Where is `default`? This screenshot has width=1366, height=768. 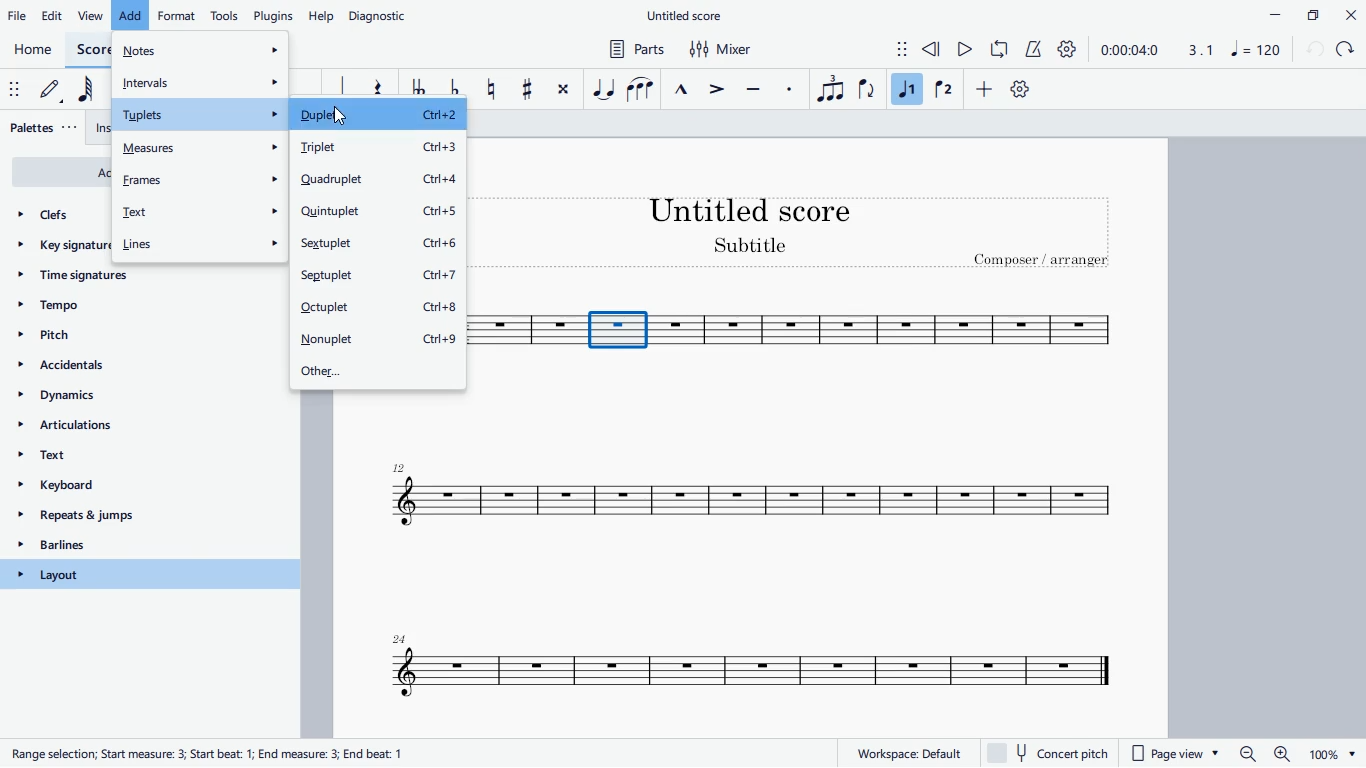
default is located at coordinates (1020, 92).